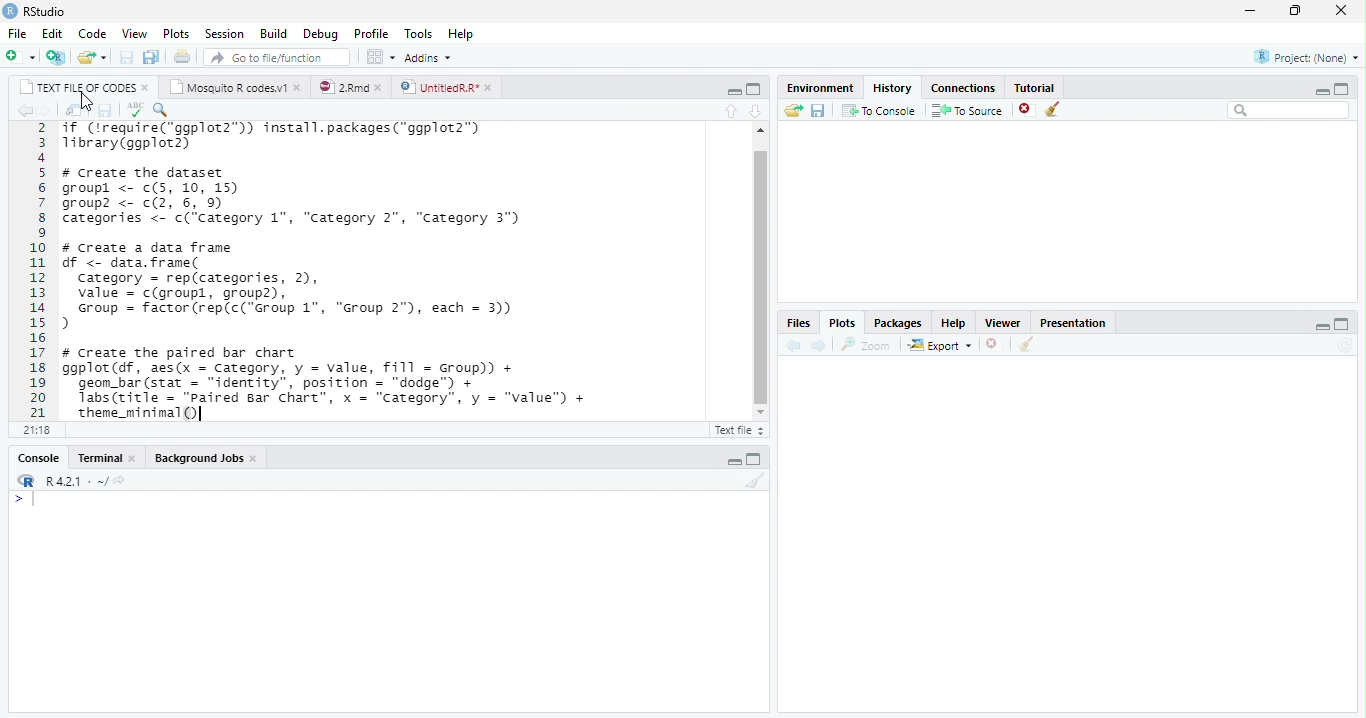  Describe the element at coordinates (761, 277) in the screenshot. I see `scroll bar` at that location.